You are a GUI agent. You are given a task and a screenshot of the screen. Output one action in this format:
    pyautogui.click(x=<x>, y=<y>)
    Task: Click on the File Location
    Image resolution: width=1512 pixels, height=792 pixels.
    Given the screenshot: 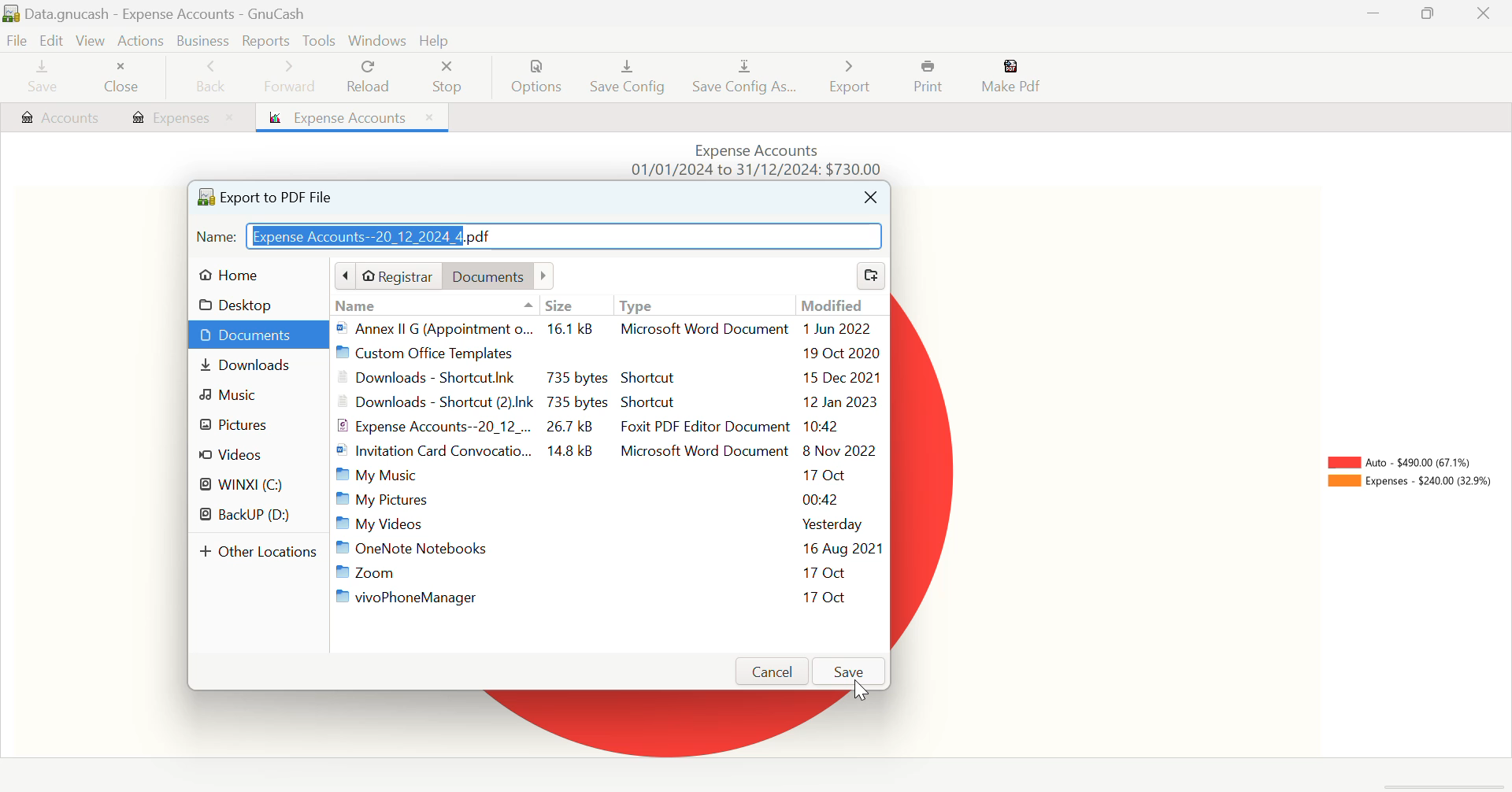 What is the action you would take?
    pyautogui.click(x=443, y=276)
    